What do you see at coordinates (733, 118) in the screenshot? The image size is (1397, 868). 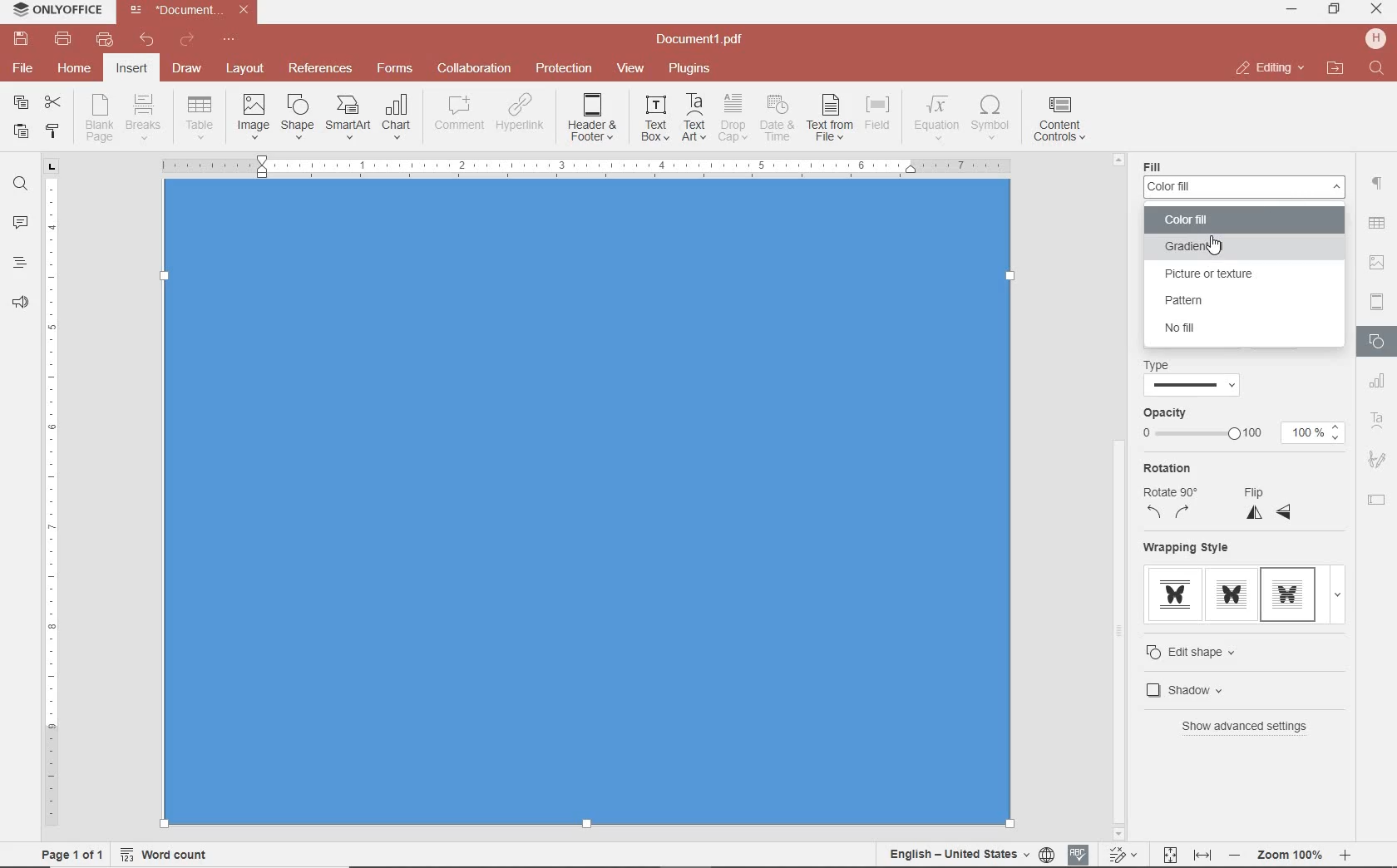 I see `DROP CAP` at bounding box center [733, 118].